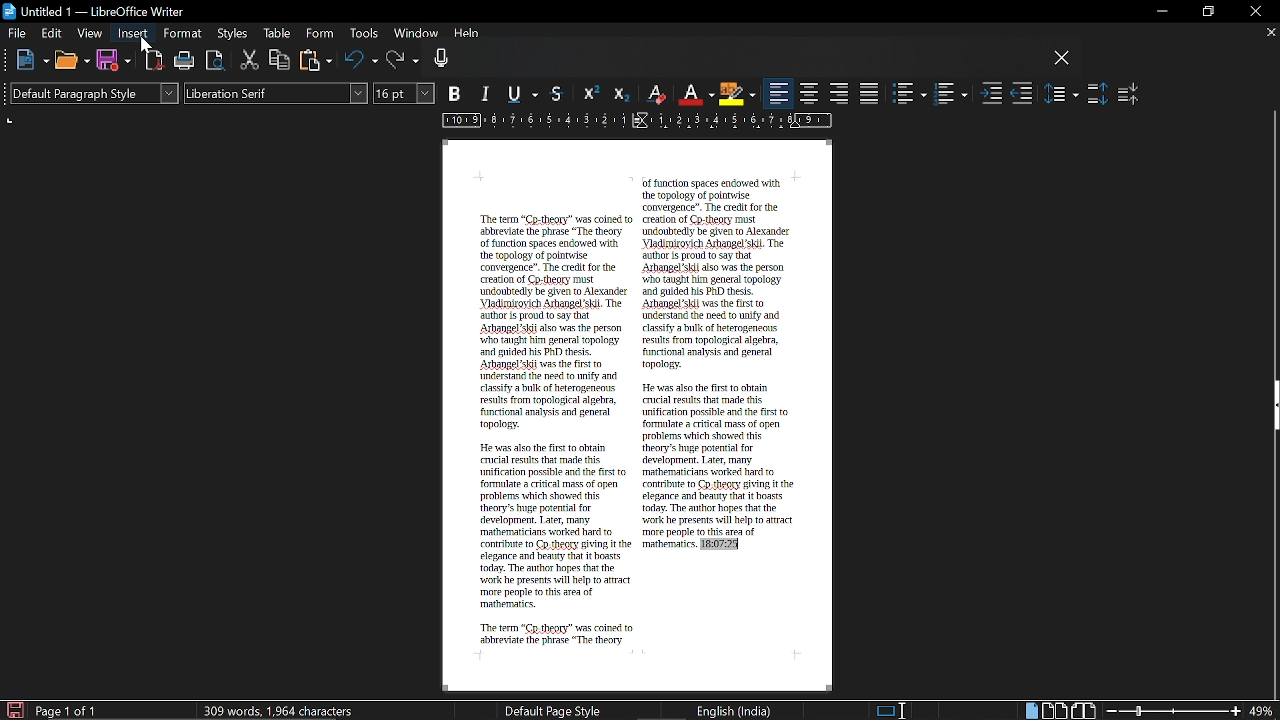  What do you see at coordinates (1158, 12) in the screenshot?
I see `Minimize` at bounding box center [1158, 12].